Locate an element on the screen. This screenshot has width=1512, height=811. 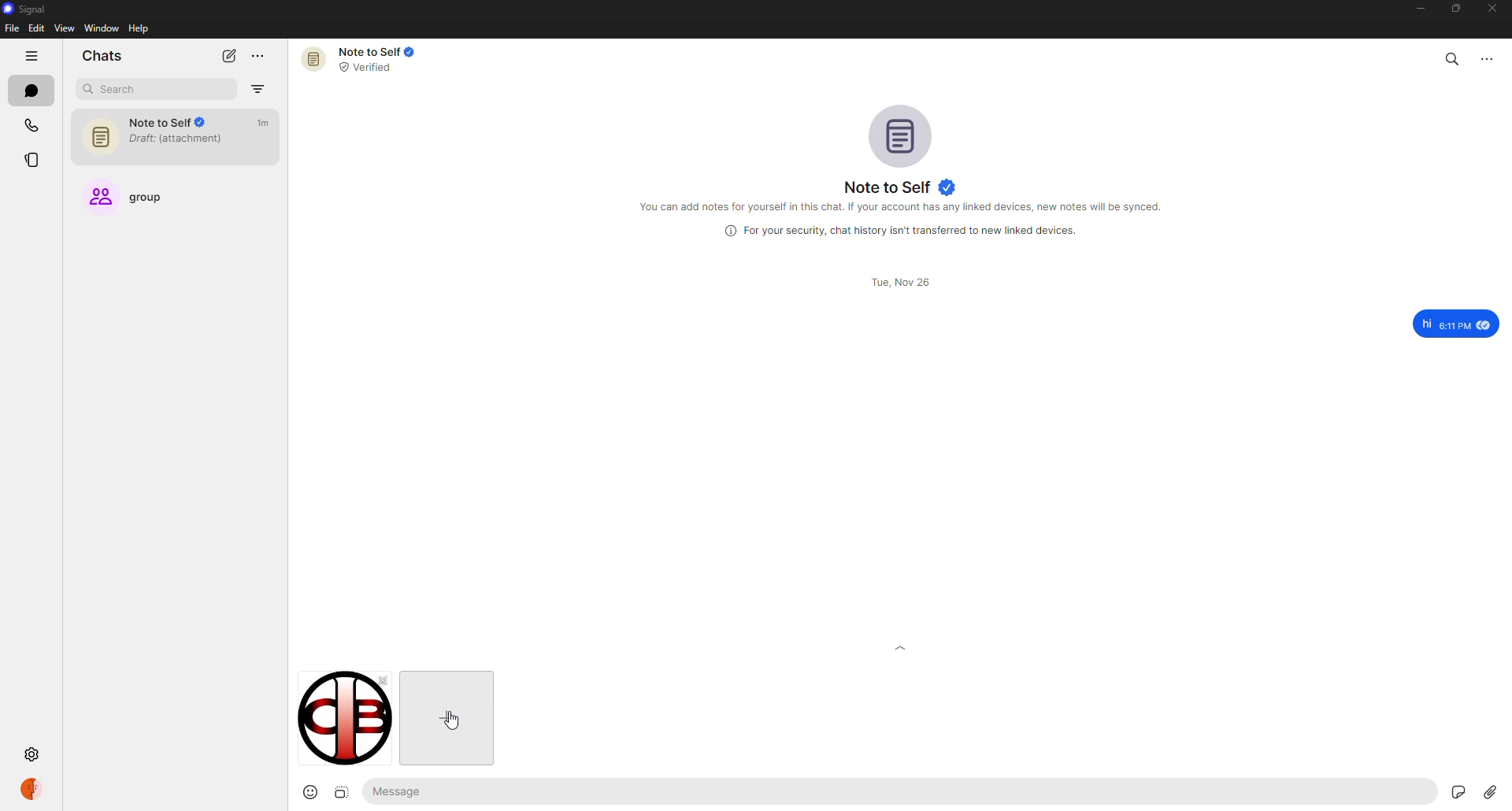
chats is located at coordinates (30, 92).